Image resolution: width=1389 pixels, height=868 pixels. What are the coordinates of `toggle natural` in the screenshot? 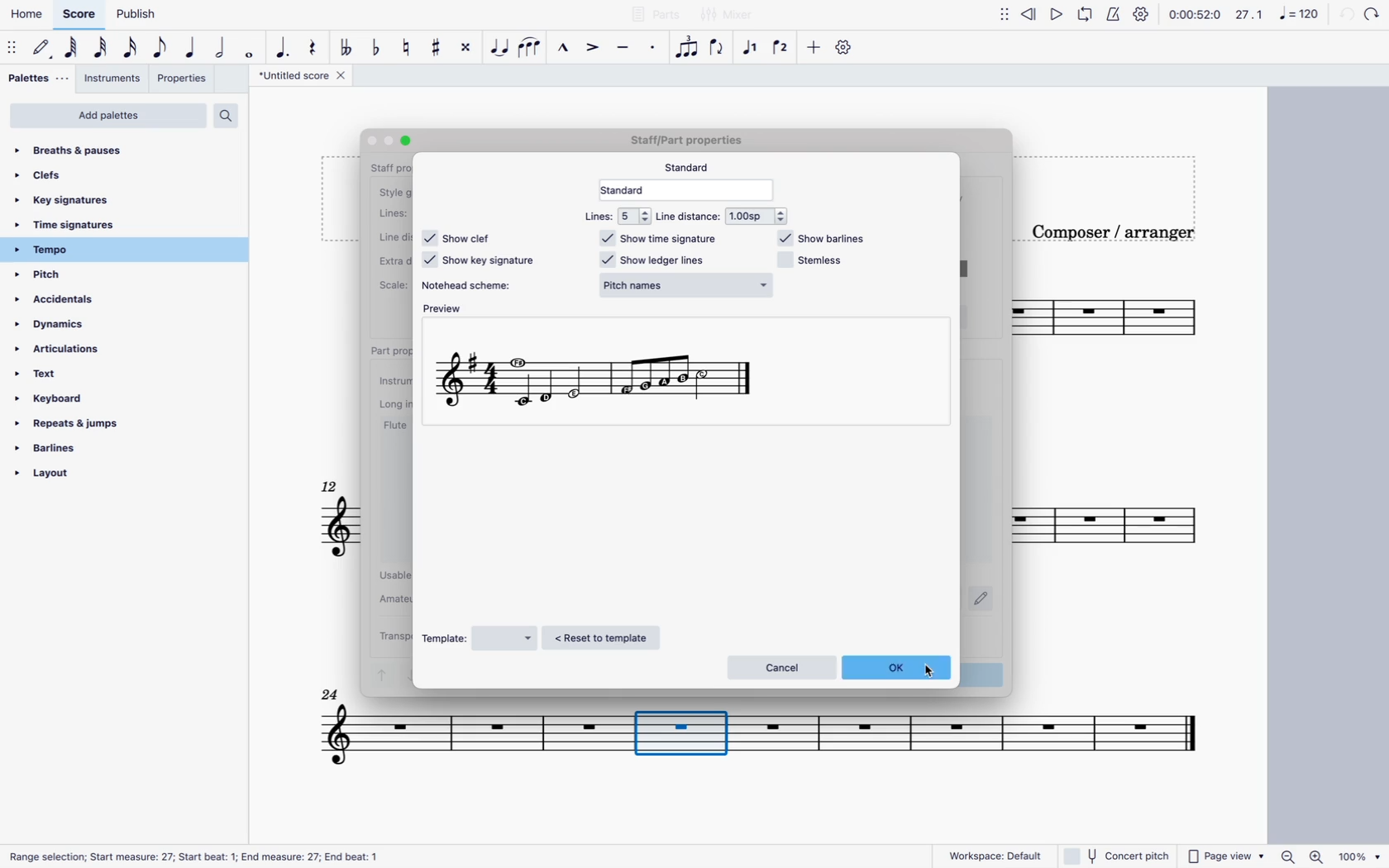 It's located at (408, 48).